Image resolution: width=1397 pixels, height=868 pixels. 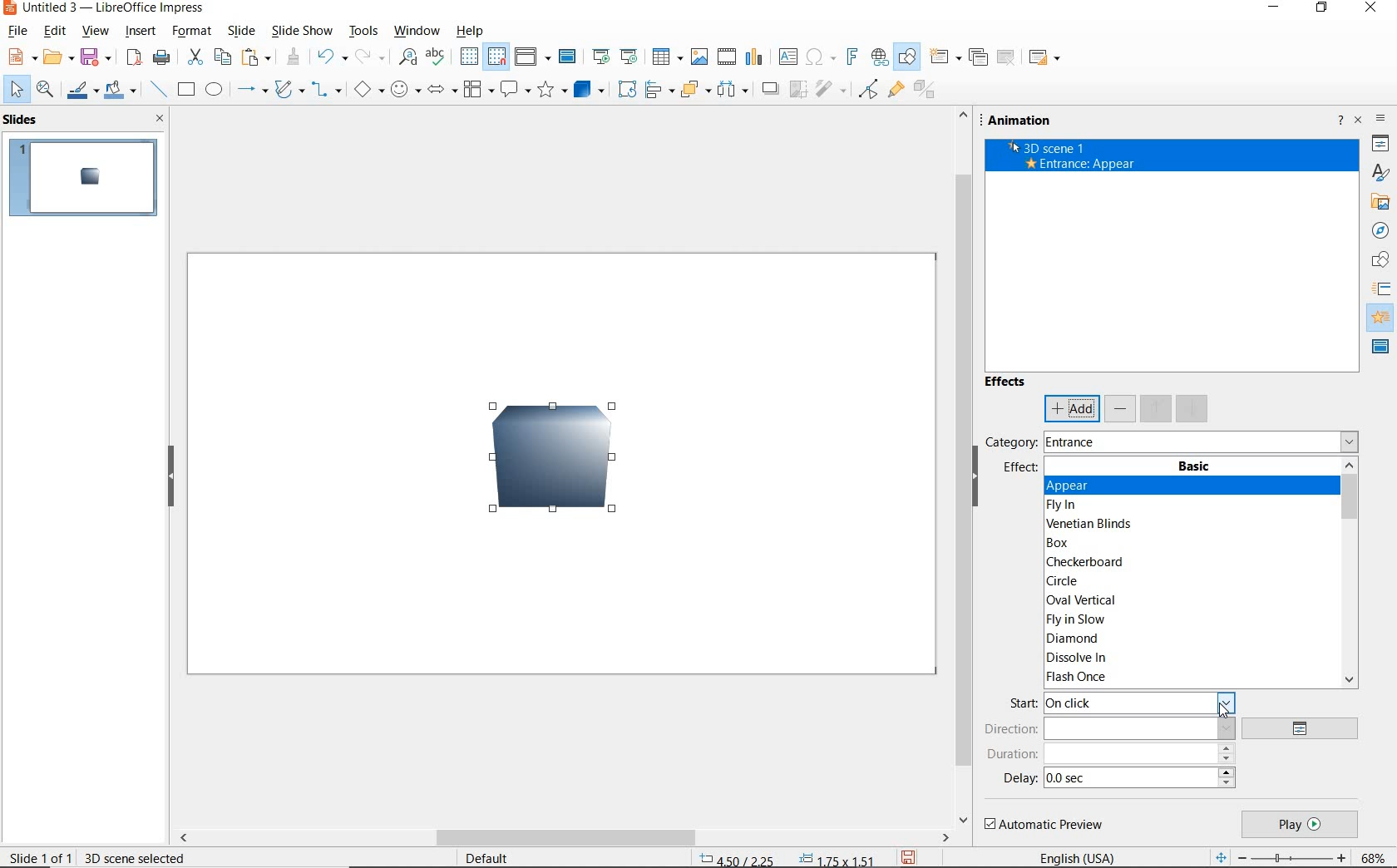 I want to click on VENETIAN BLINDS, so click(x=1091, y=523).